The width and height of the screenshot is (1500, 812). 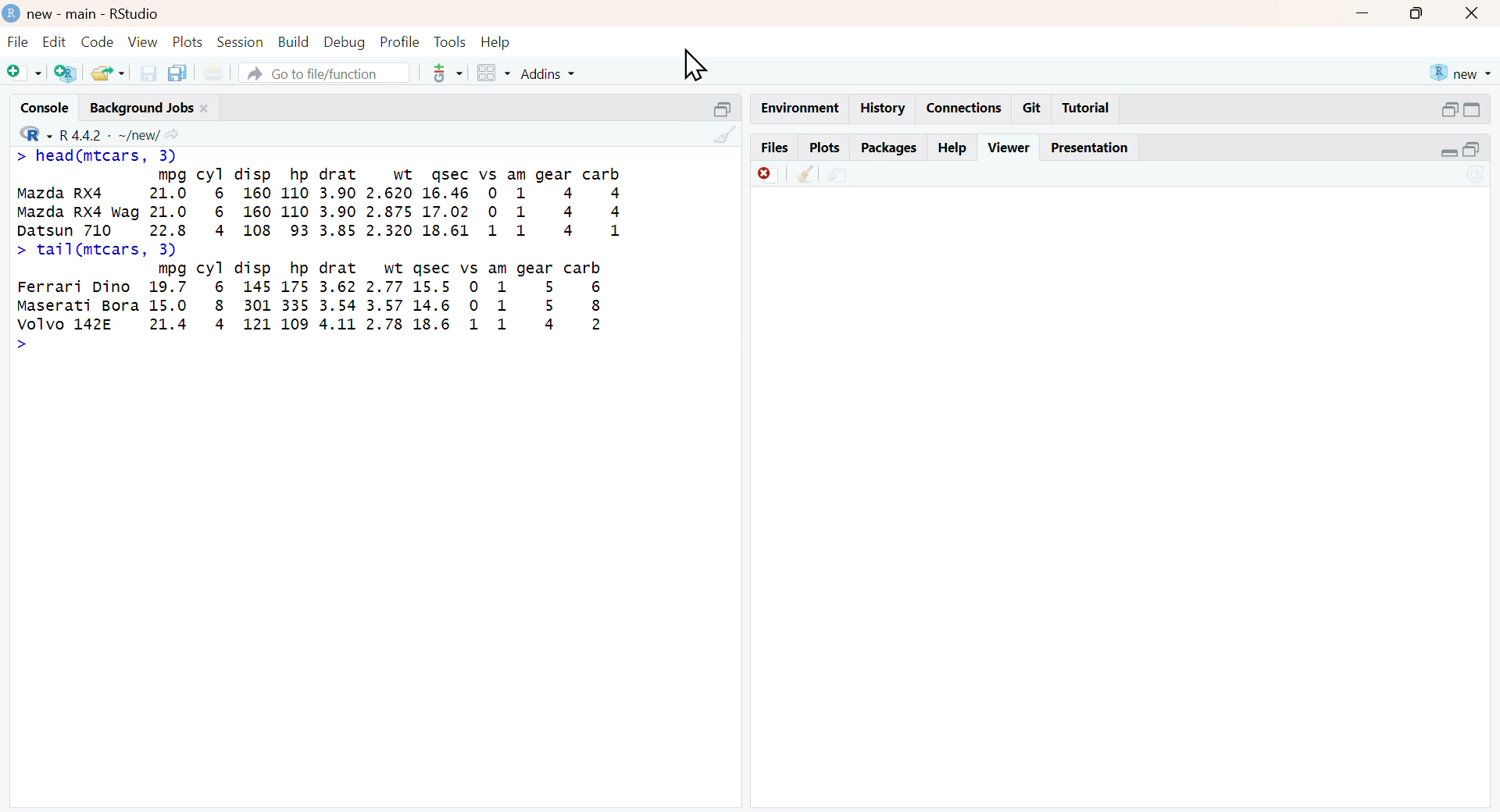 I want to click on Plots, so click(x=186, y=40).